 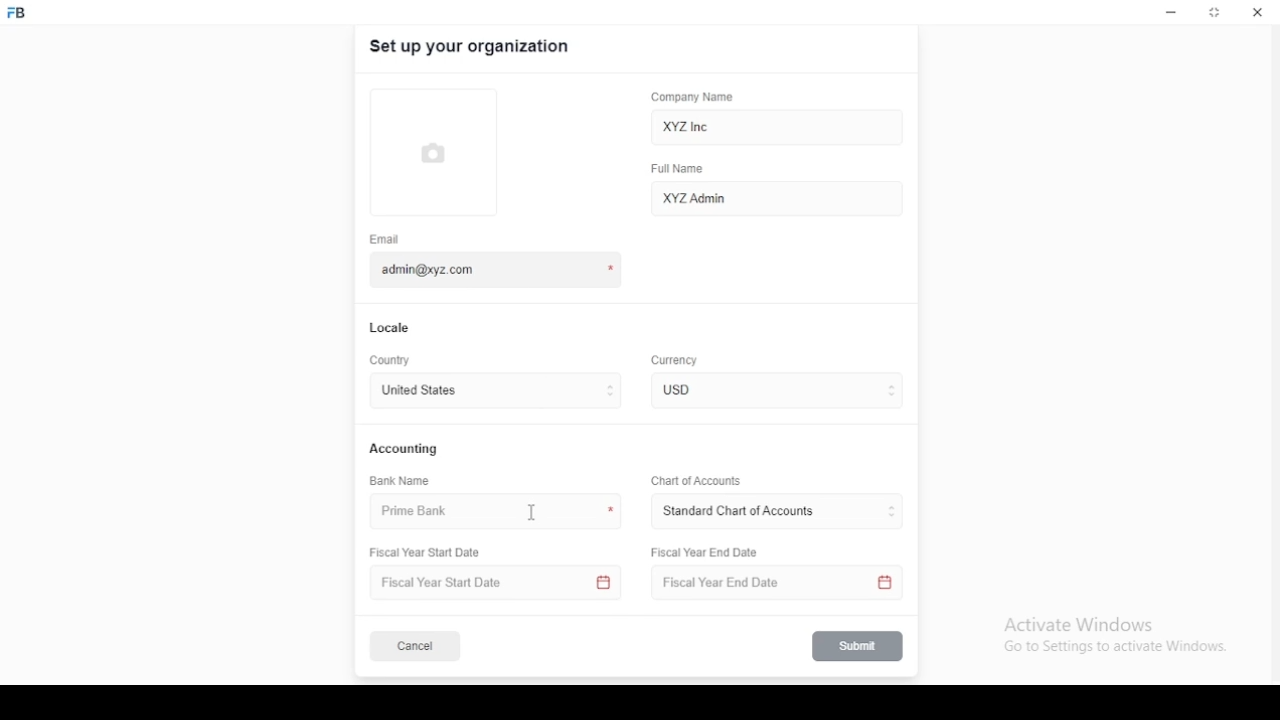 I want to click on L ‘Standard Chart of Accounts, so click(x=737, y=512).